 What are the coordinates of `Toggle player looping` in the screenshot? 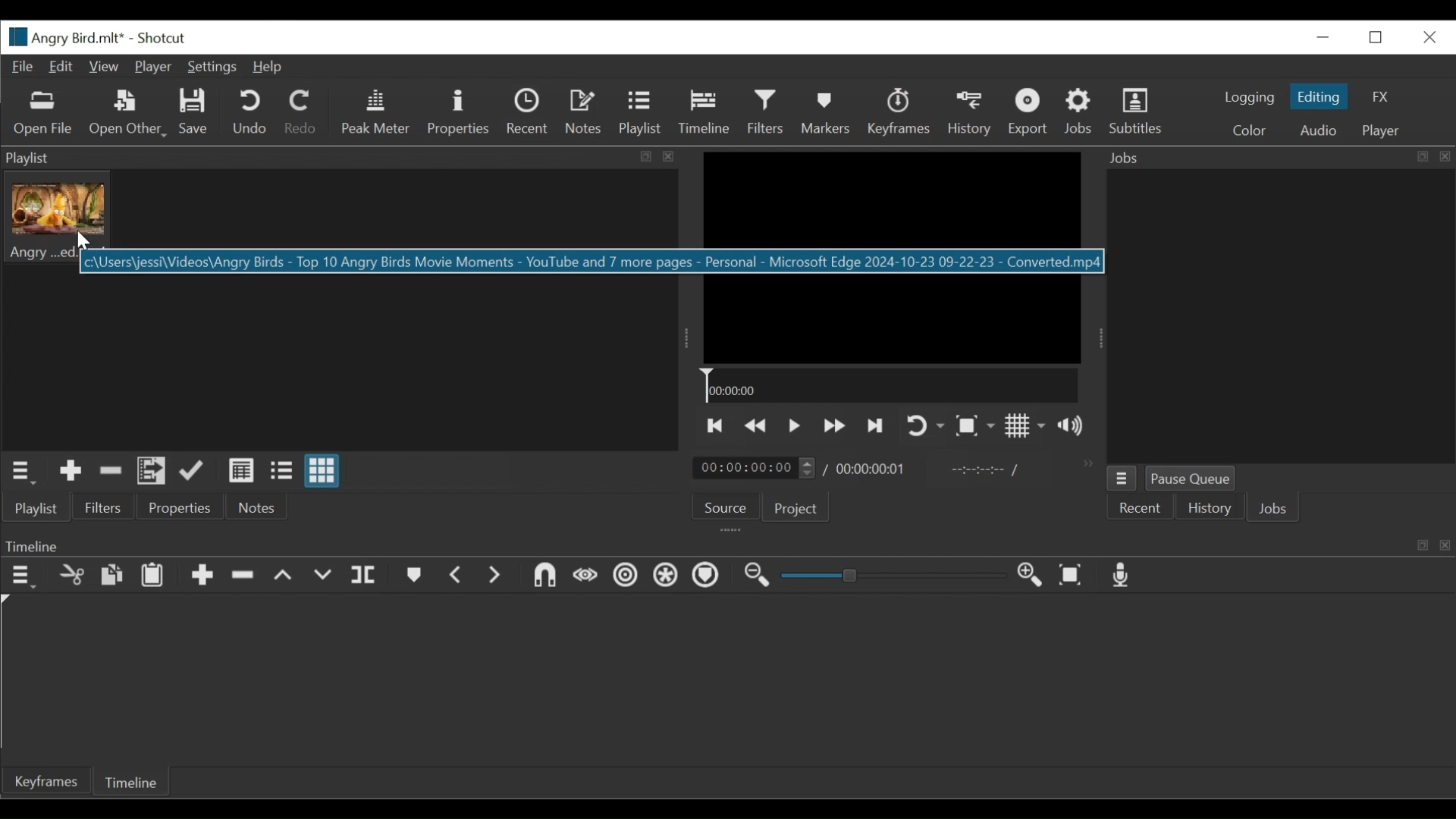 It's located at (923, 425).